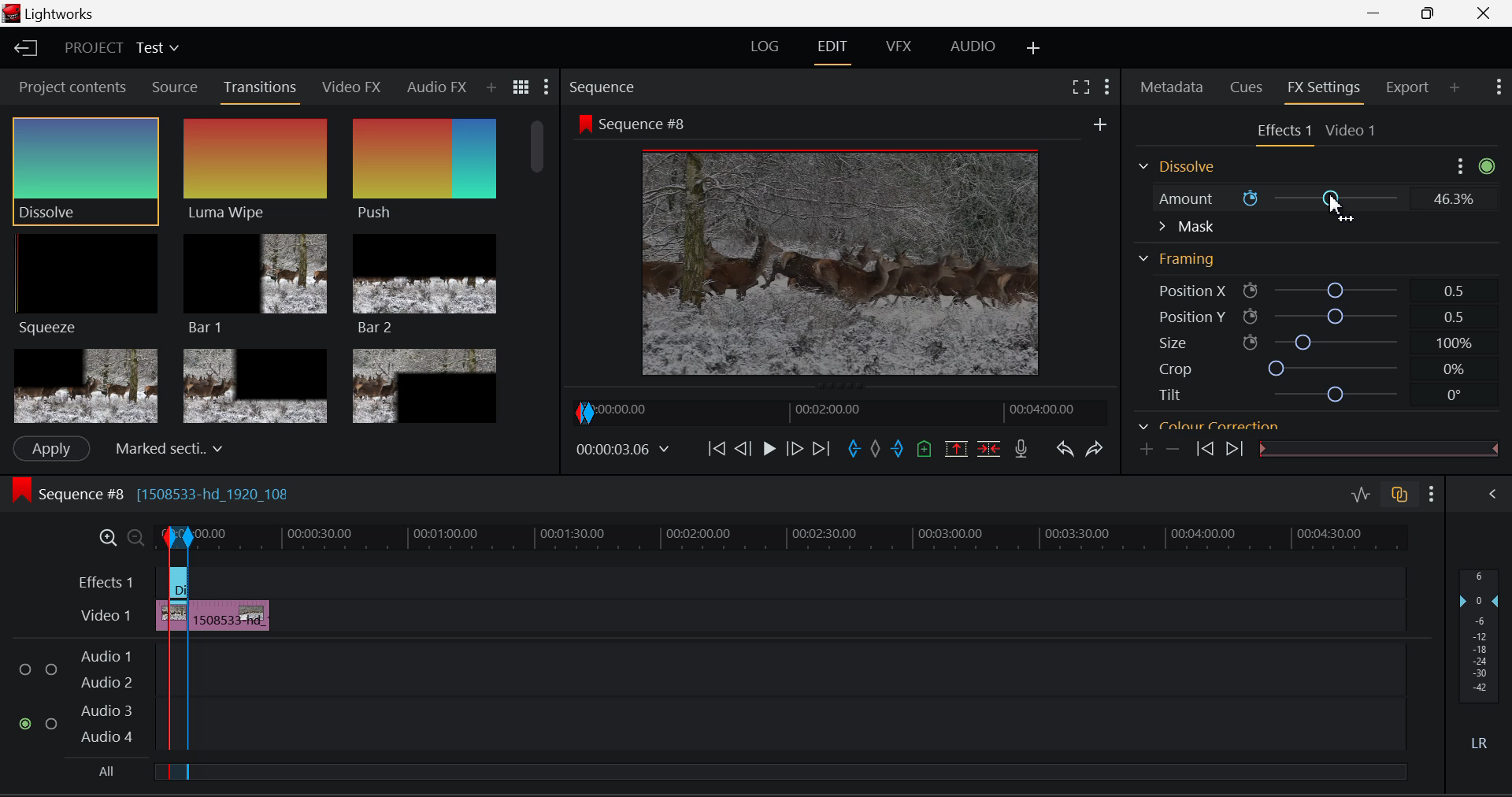  I want to click on Remove all marks, so click(875, 451).